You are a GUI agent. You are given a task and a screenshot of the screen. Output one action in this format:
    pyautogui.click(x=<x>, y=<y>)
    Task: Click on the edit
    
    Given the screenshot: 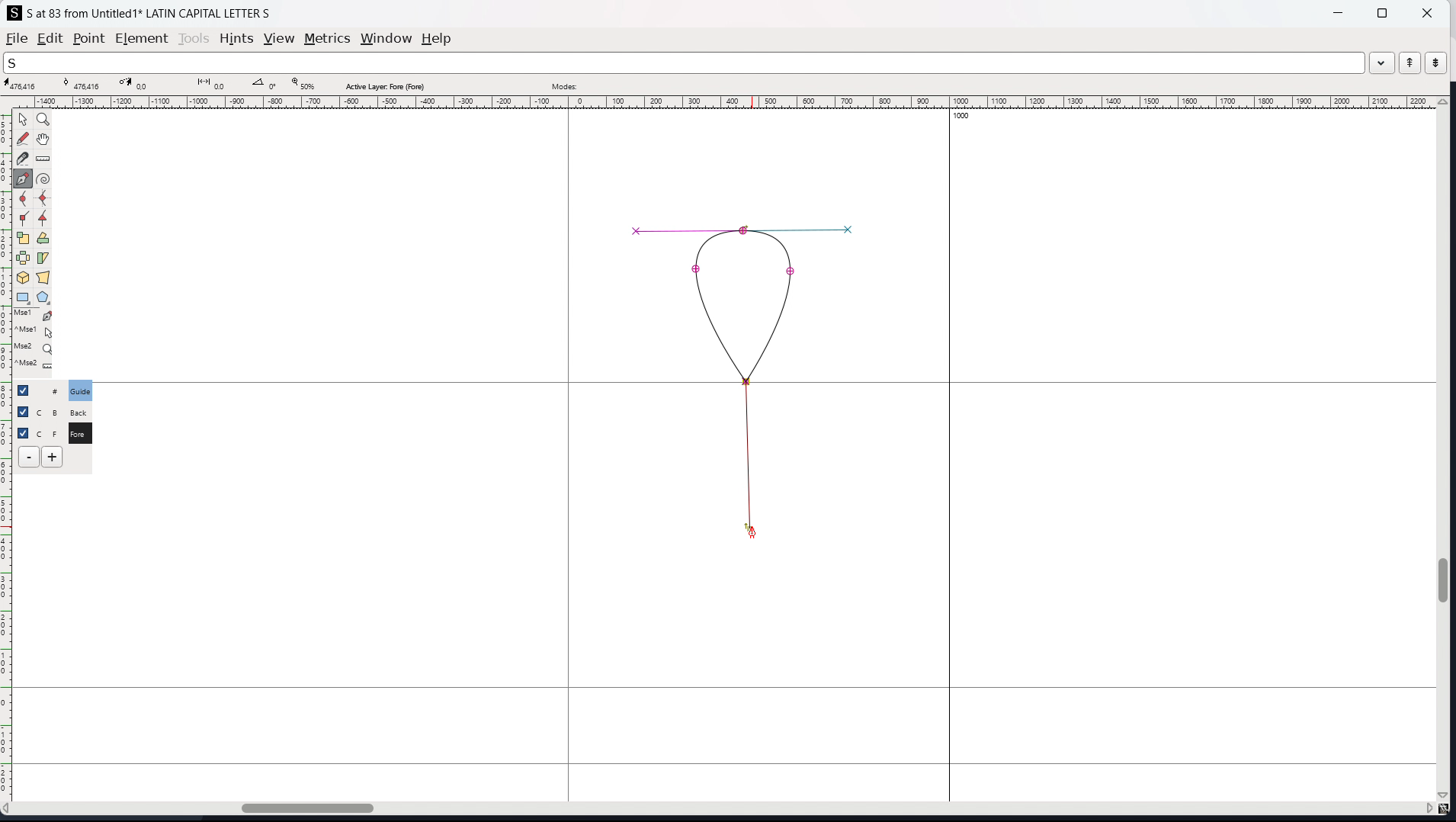 What is the action you would take?
    pyautogui.click(x=50, y=38)
    